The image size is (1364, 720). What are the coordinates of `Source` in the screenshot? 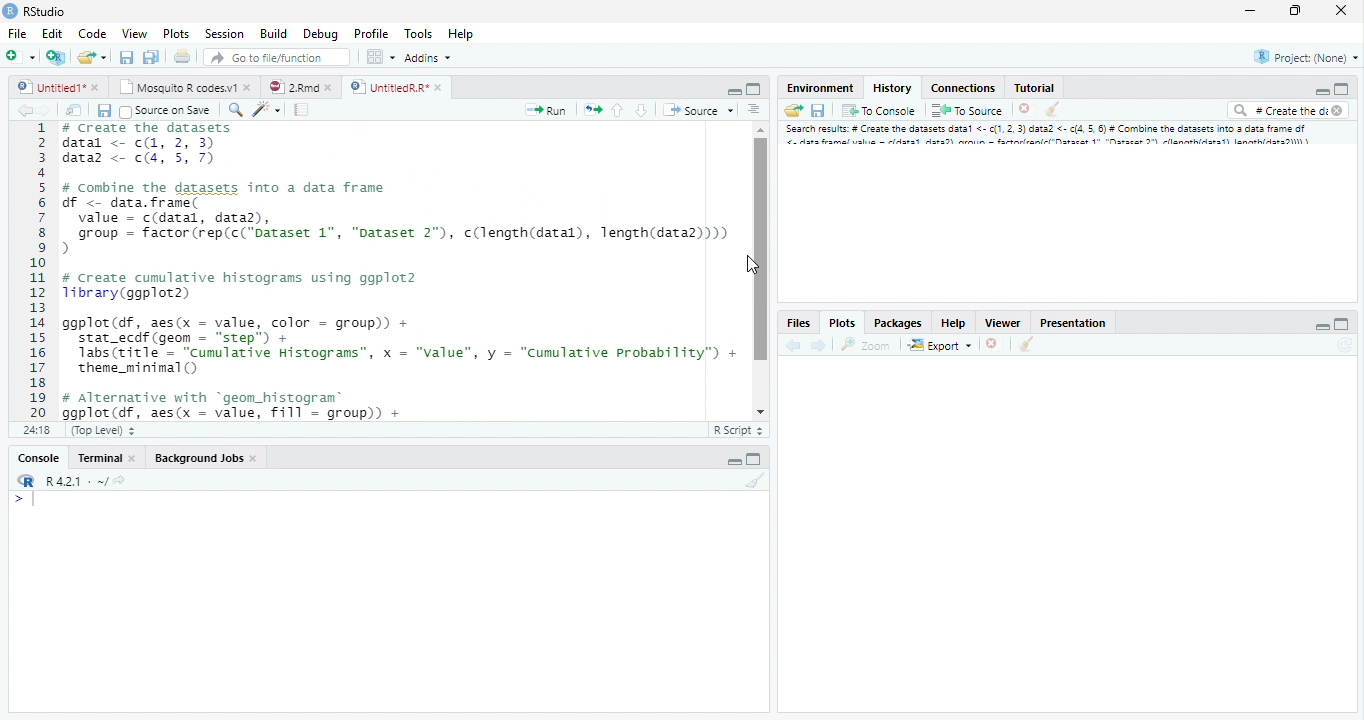 It's located at (698, 112).